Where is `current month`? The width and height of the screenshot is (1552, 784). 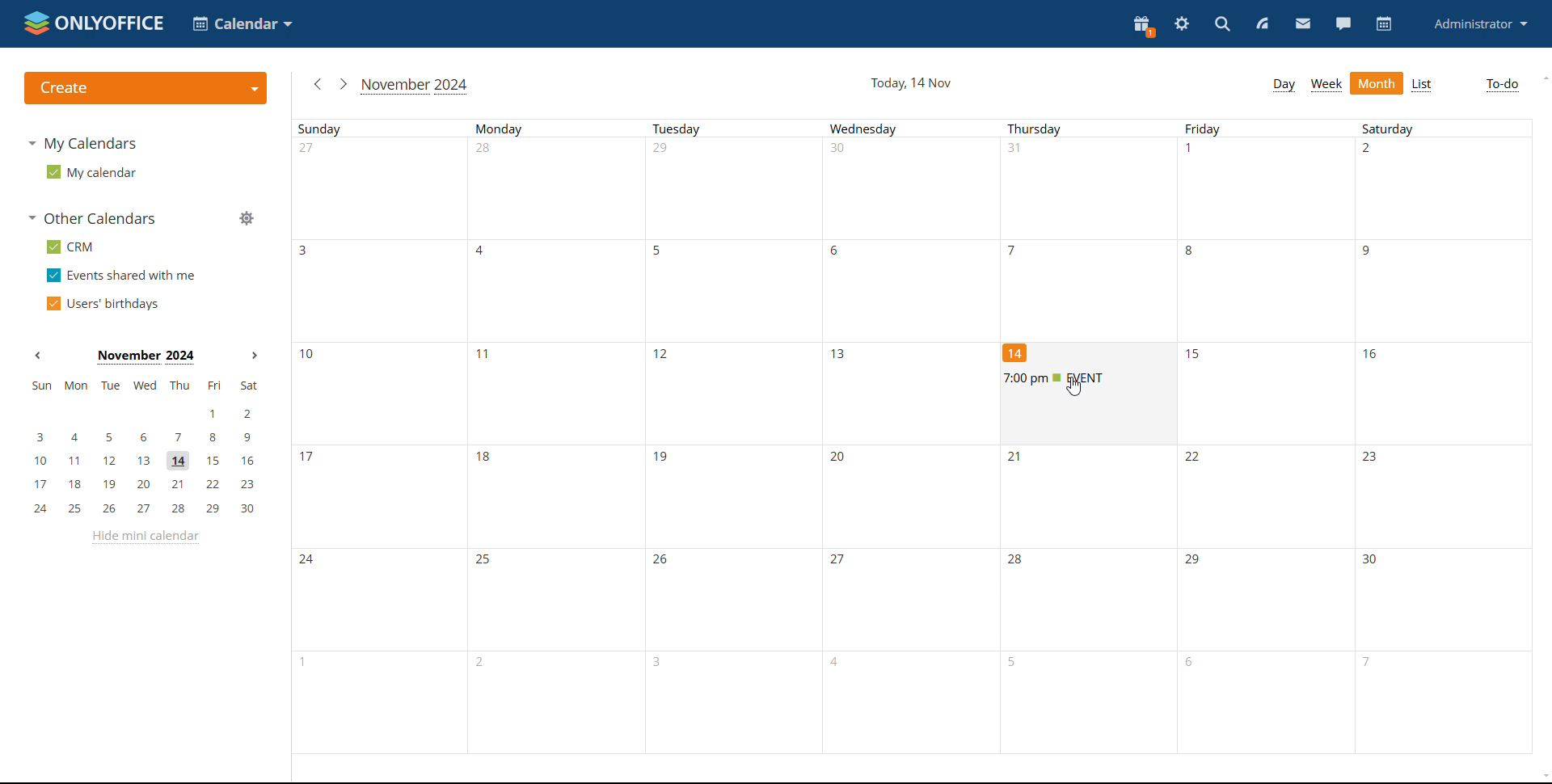 current month is located at coordinates (416, 86).